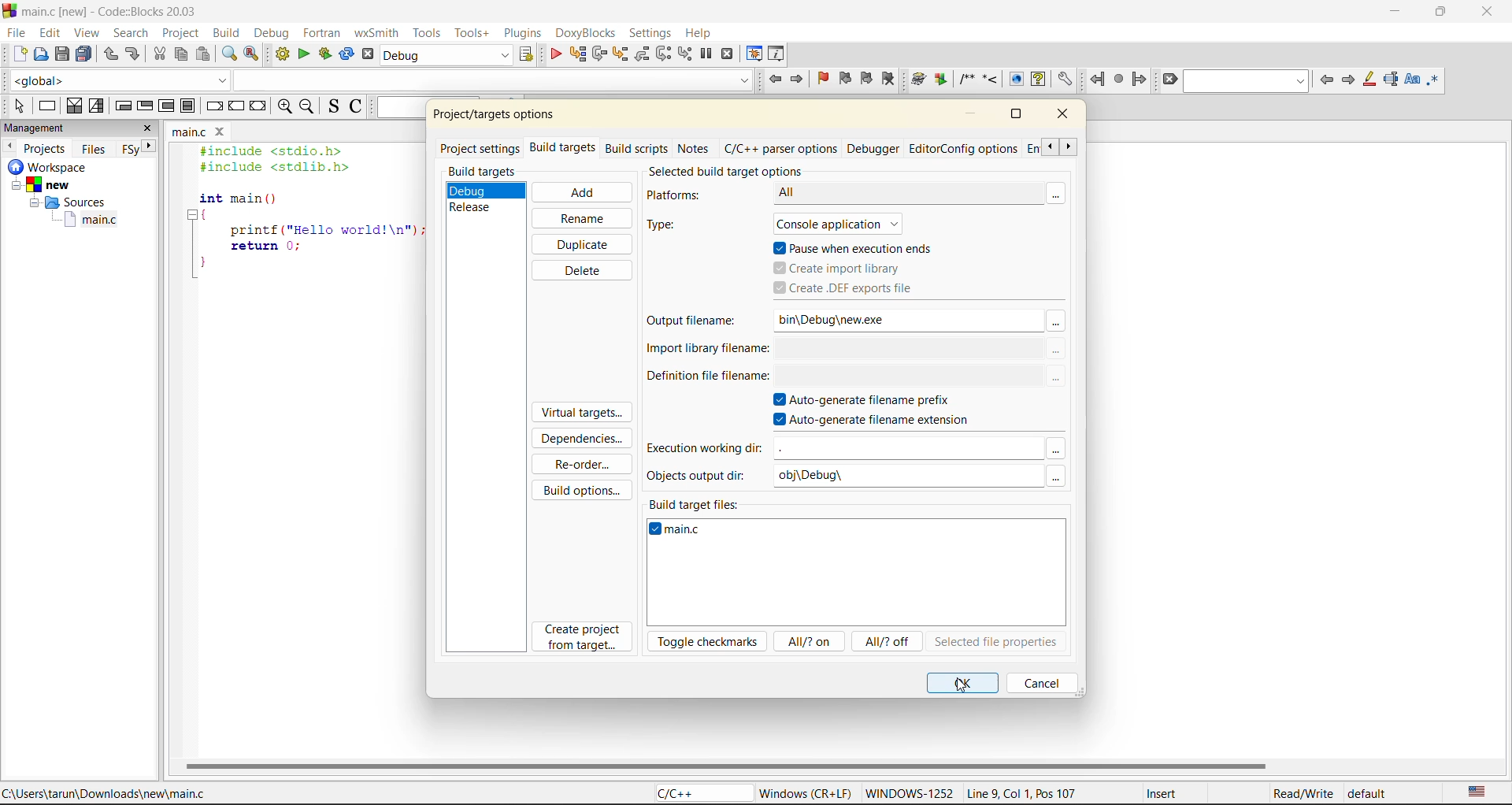 Image resolution: width=1512 pixels, height=805 pixels. Describe the element at coordinates (276, 35) in the screenshot. I see `debug` at that location.